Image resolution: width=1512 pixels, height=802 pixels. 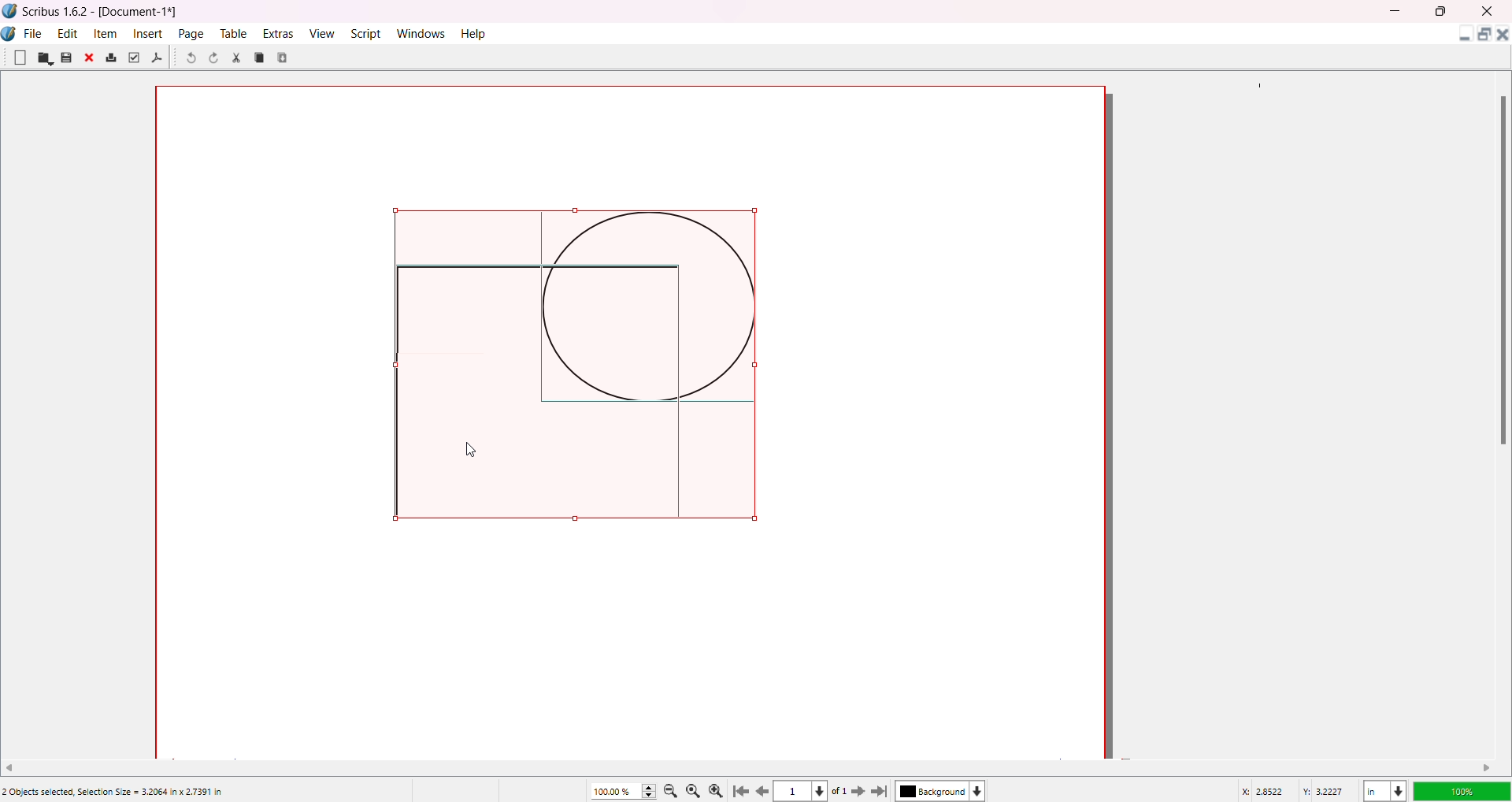 I want to click on Minimize Document, so click(x=1461, y=37).